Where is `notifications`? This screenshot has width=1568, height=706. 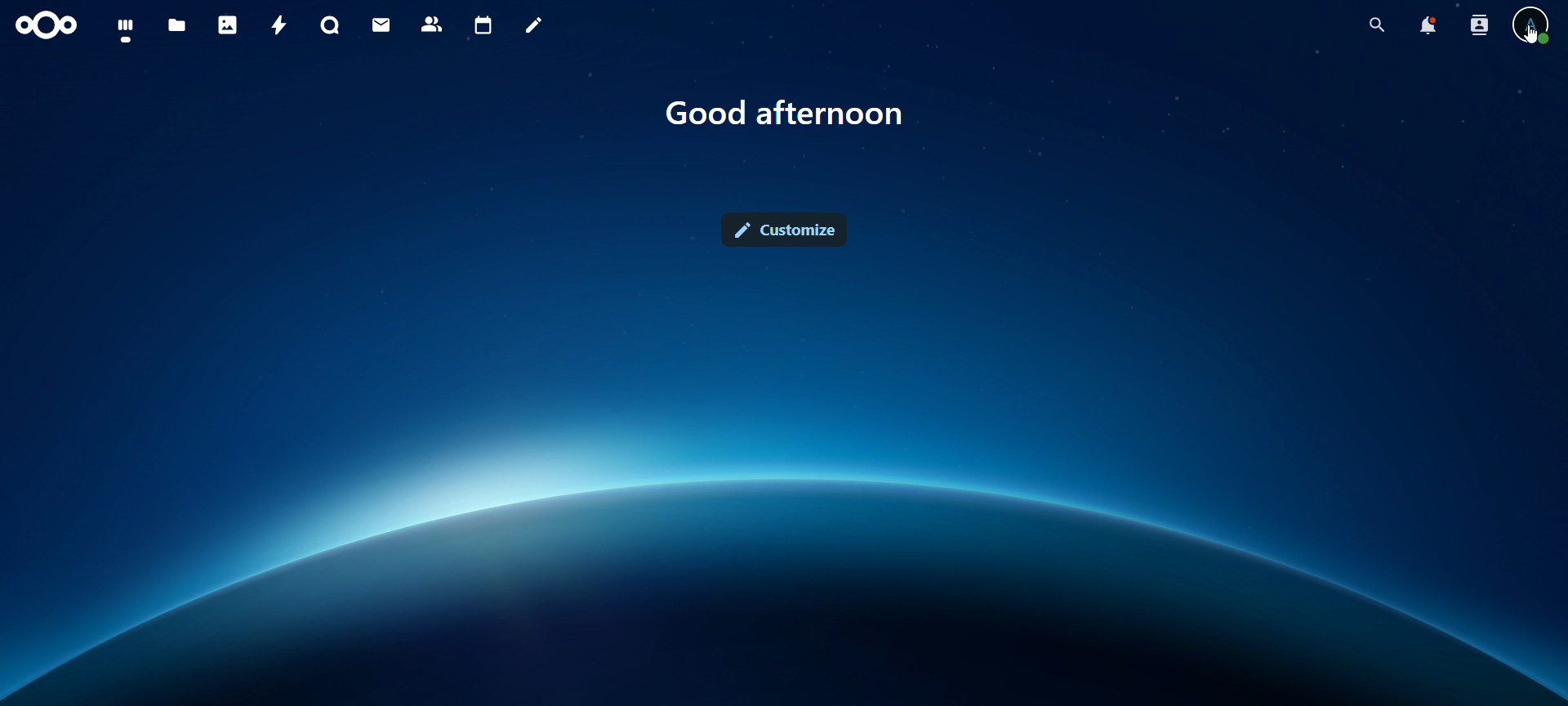 notifications is located at coordinates (1430, 29).